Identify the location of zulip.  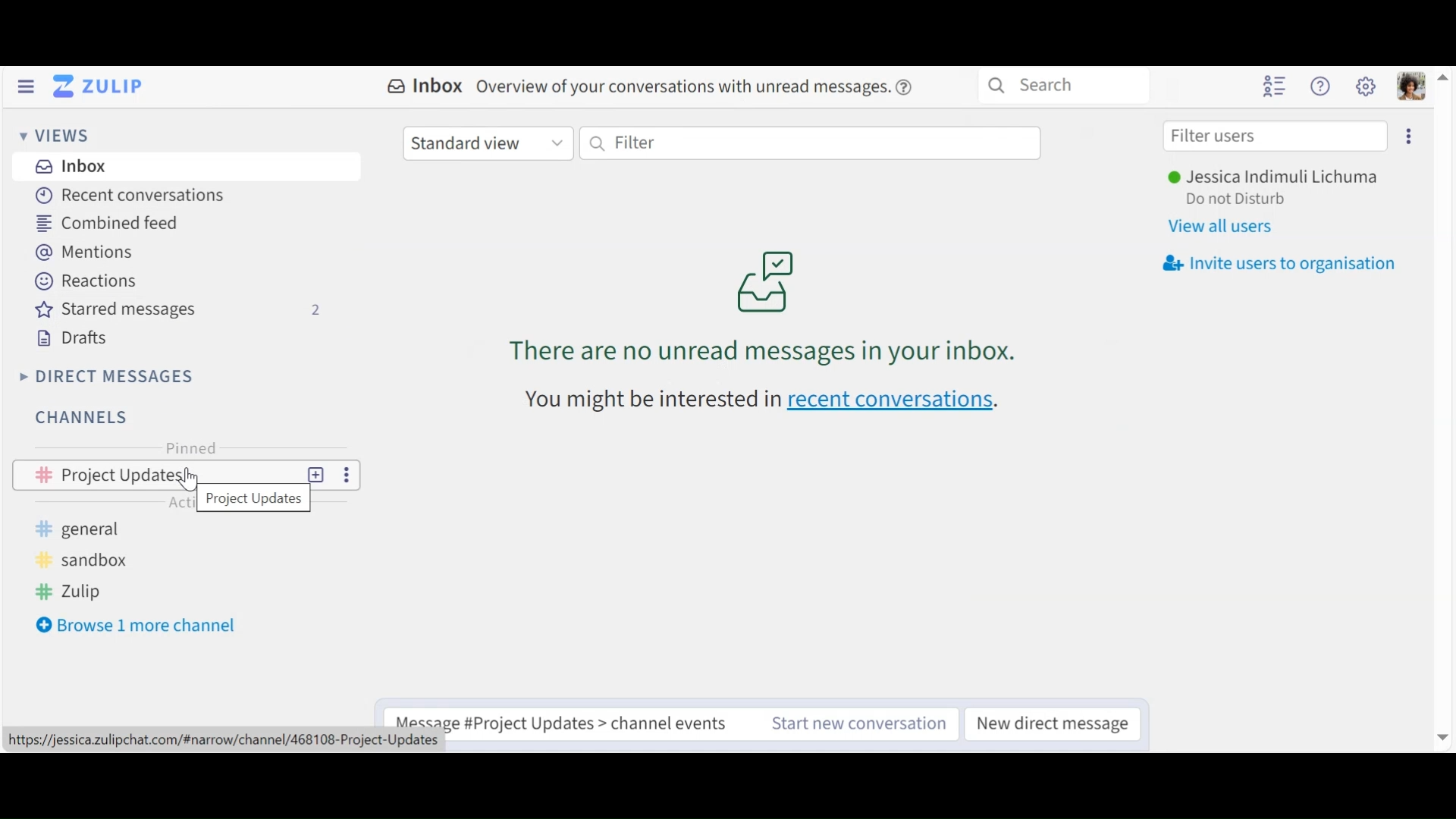
(76, 593).